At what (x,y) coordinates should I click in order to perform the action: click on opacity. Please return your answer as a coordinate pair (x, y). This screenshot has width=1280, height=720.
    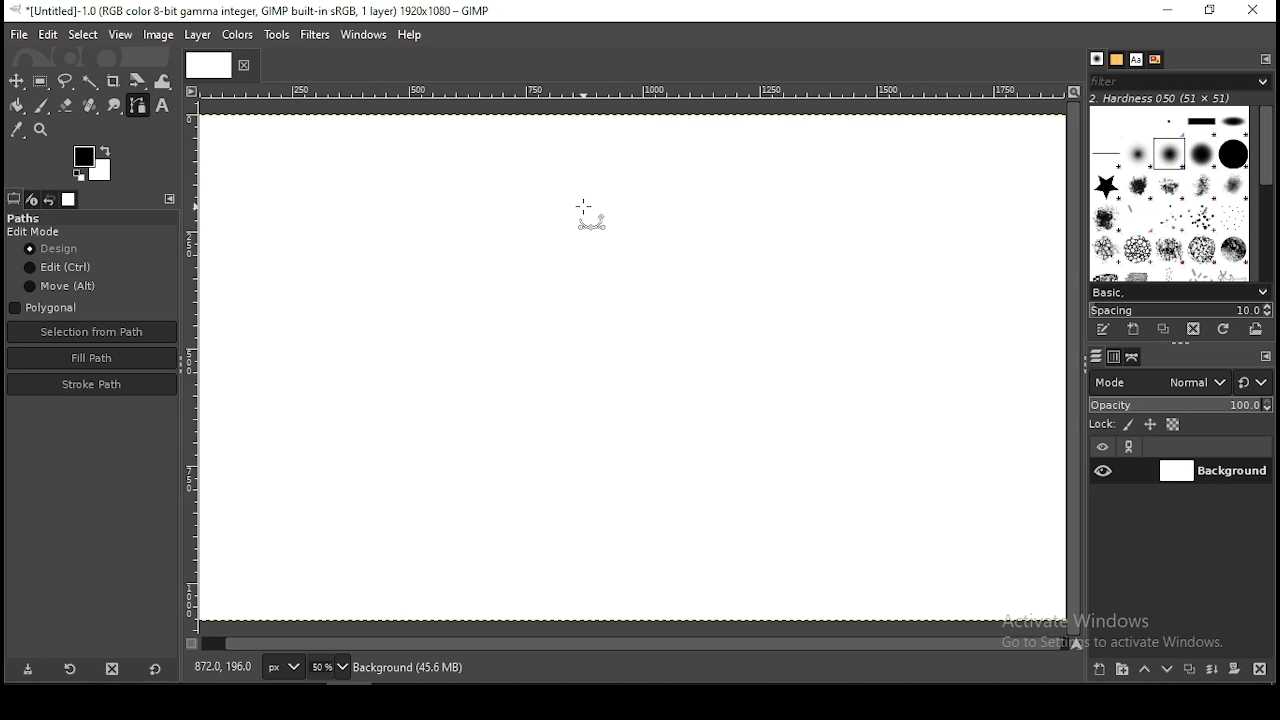
    Looking at the image, I should click on (1180, 406).